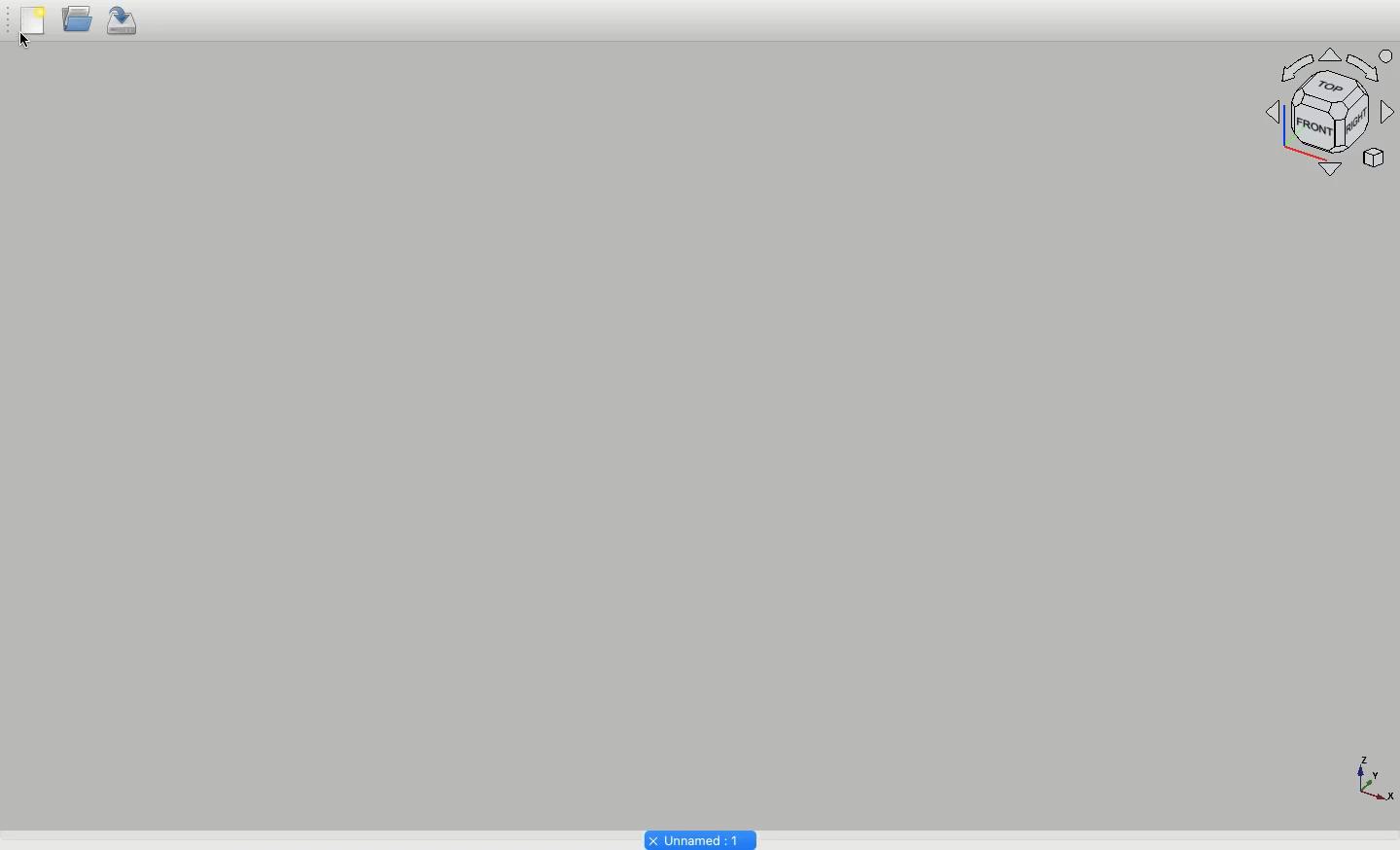 The height and width of the screenshot is (850, 1400). What do you see at coordinates (1331, 112) in the screenshot?
I see `Navigation styles` at bounding box center [1331, 112].